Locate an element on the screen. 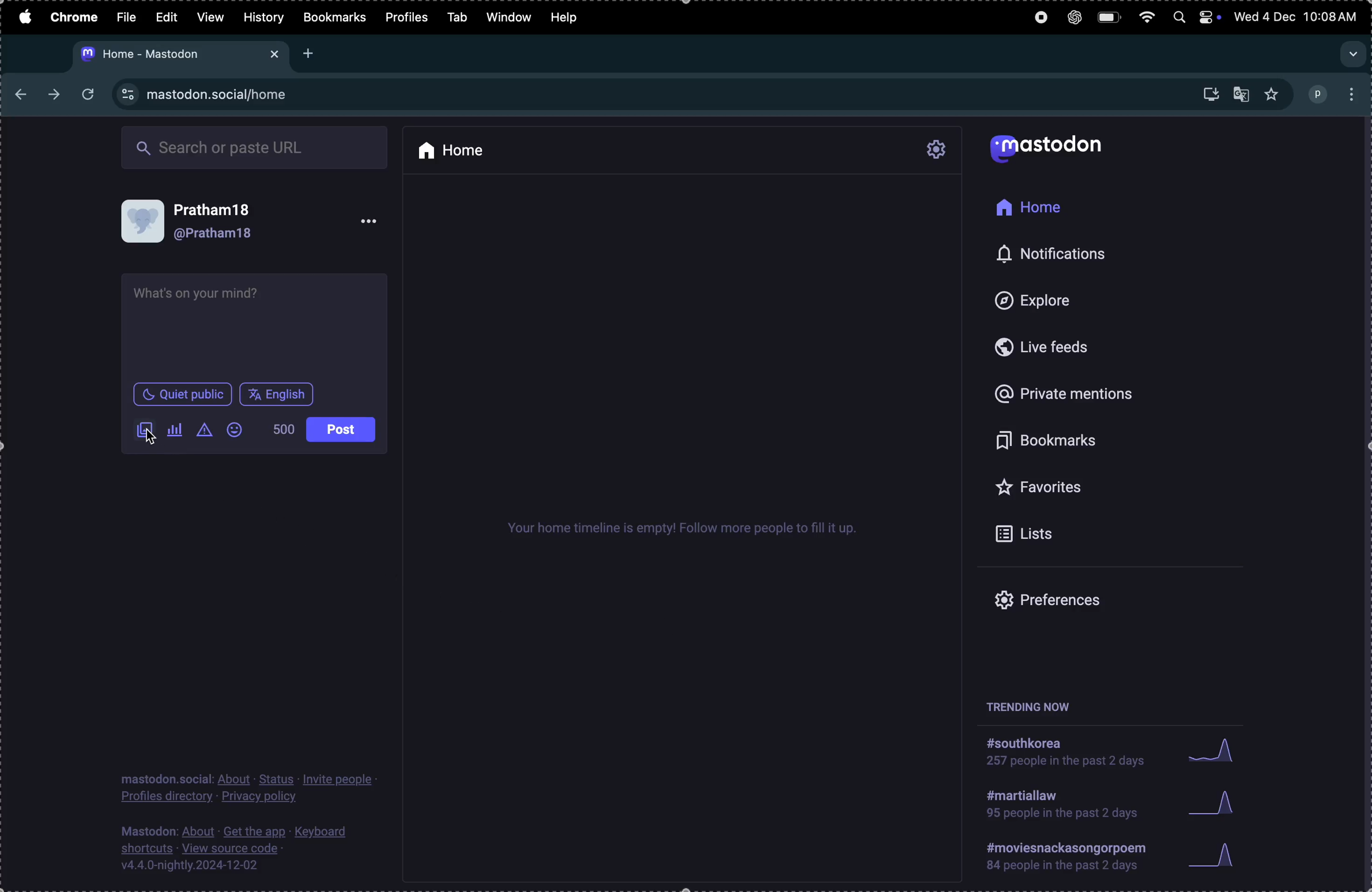 The height and width of the screenshot is (892, 1372). English is located at coordinates (276, 394).